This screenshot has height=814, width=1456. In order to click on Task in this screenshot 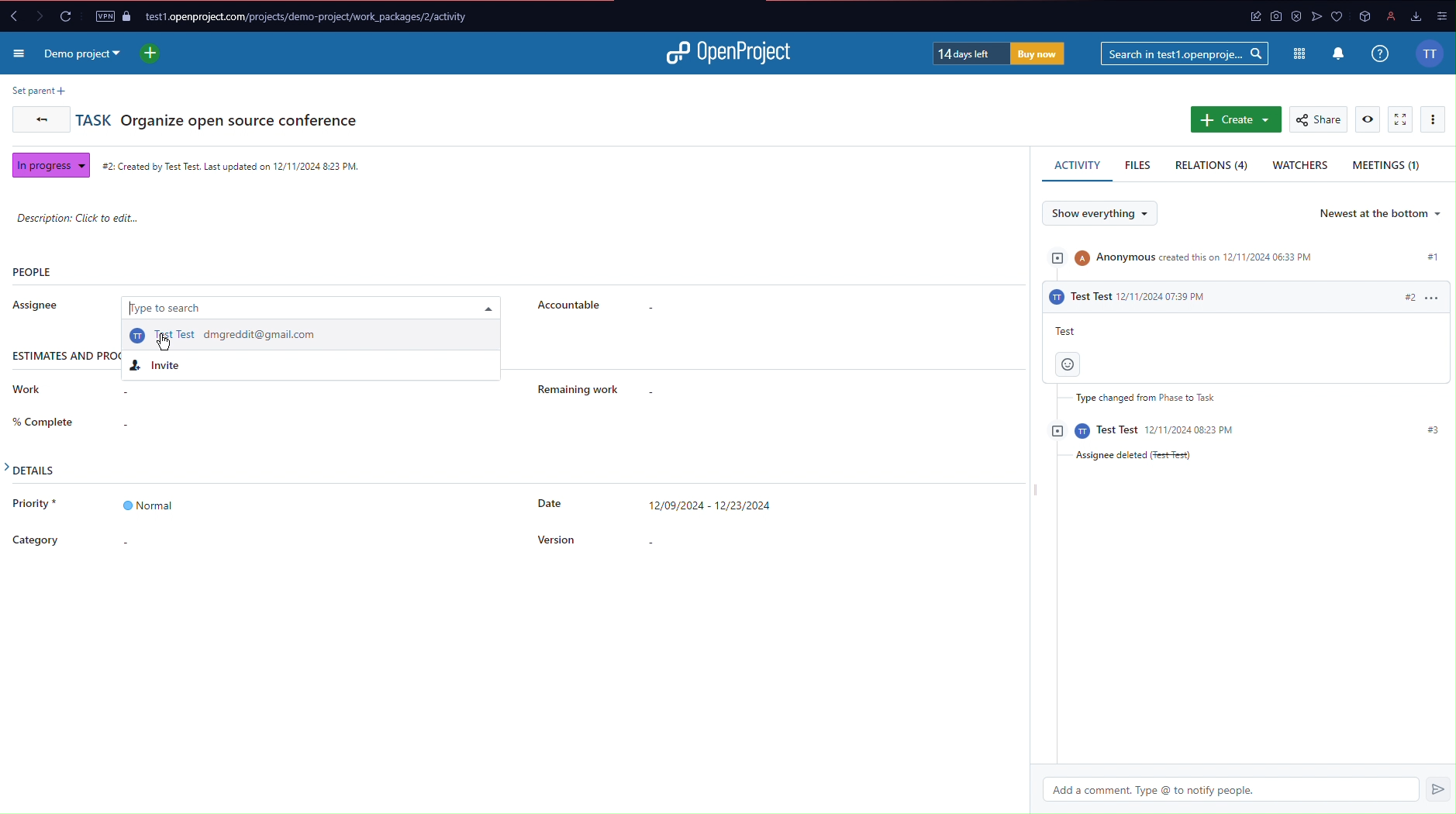, I will do `click(93, 118)`.